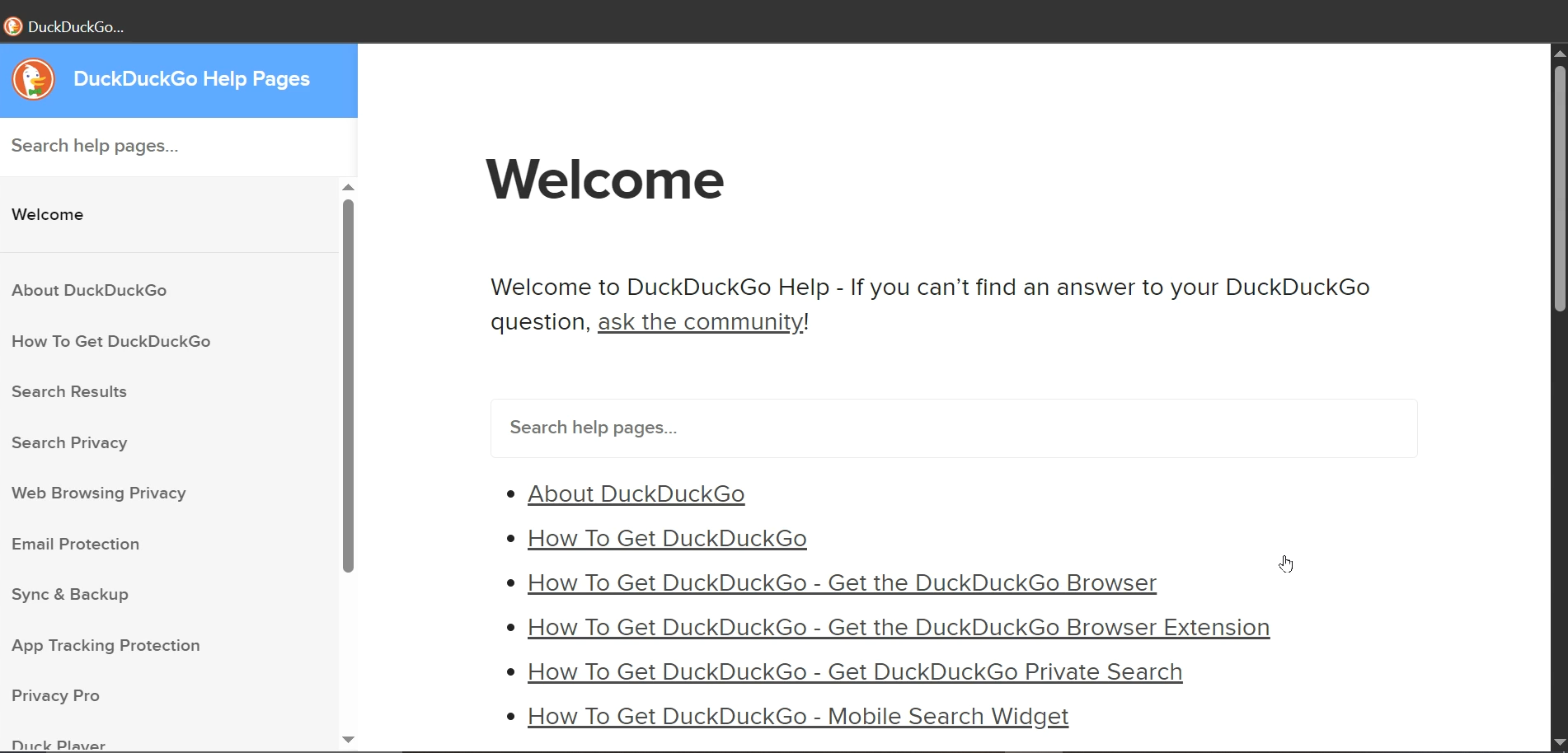  What do you see at coordinates (68, 26) in the screenshot?
I see `DuckDuckGo...` at bounding box center [68, 26].